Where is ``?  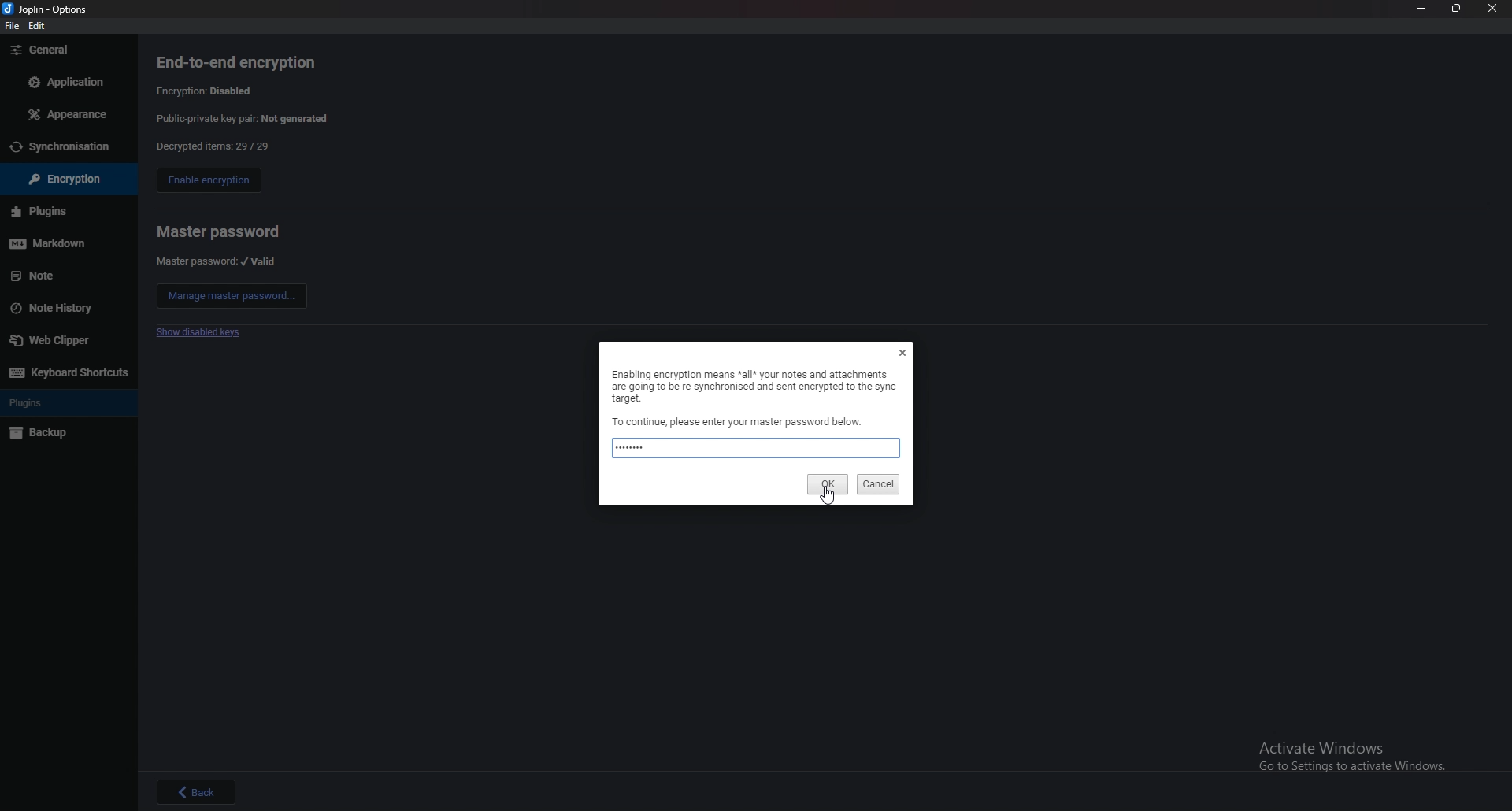
 is located at coordinates (200, 791).